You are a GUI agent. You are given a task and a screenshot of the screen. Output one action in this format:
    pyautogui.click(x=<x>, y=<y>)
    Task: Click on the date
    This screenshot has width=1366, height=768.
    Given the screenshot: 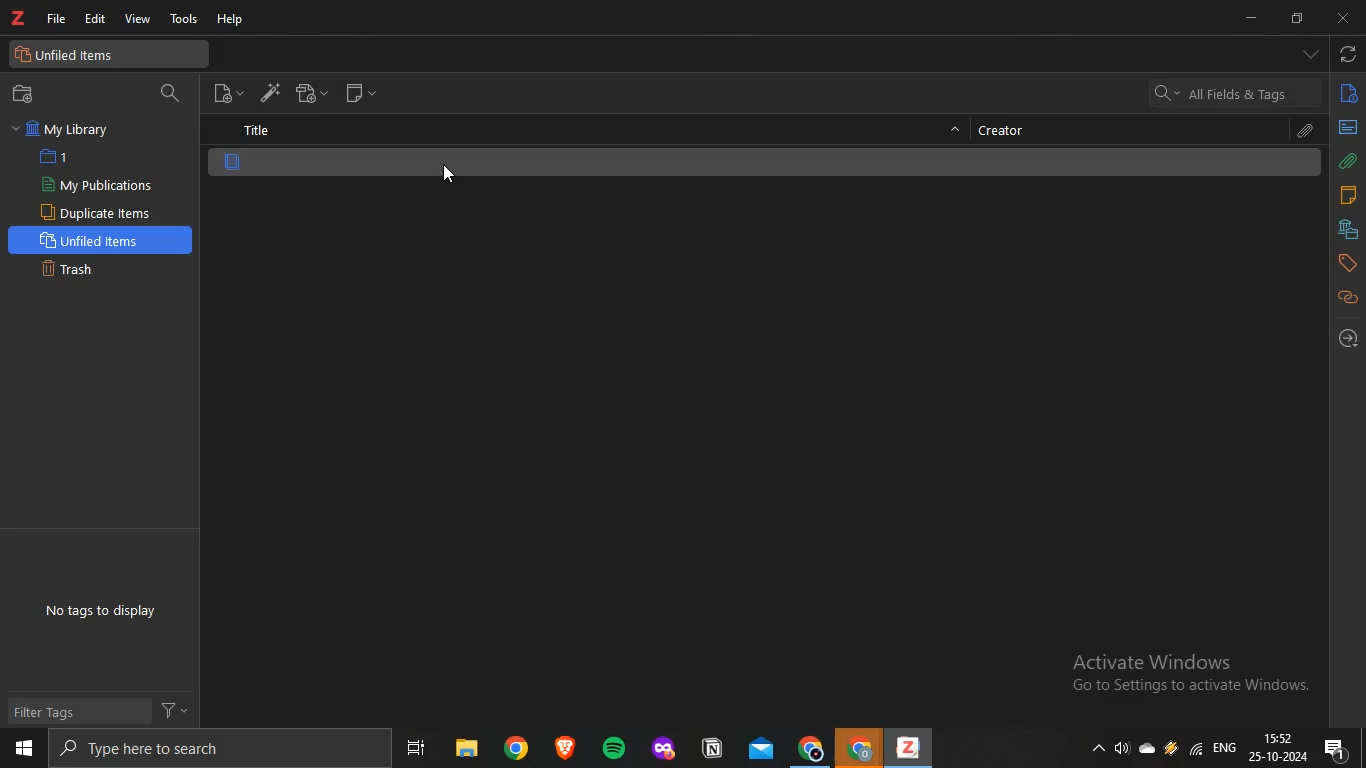 What is the action you would take?
    pyautogui.click(x=1279, y=757)
    